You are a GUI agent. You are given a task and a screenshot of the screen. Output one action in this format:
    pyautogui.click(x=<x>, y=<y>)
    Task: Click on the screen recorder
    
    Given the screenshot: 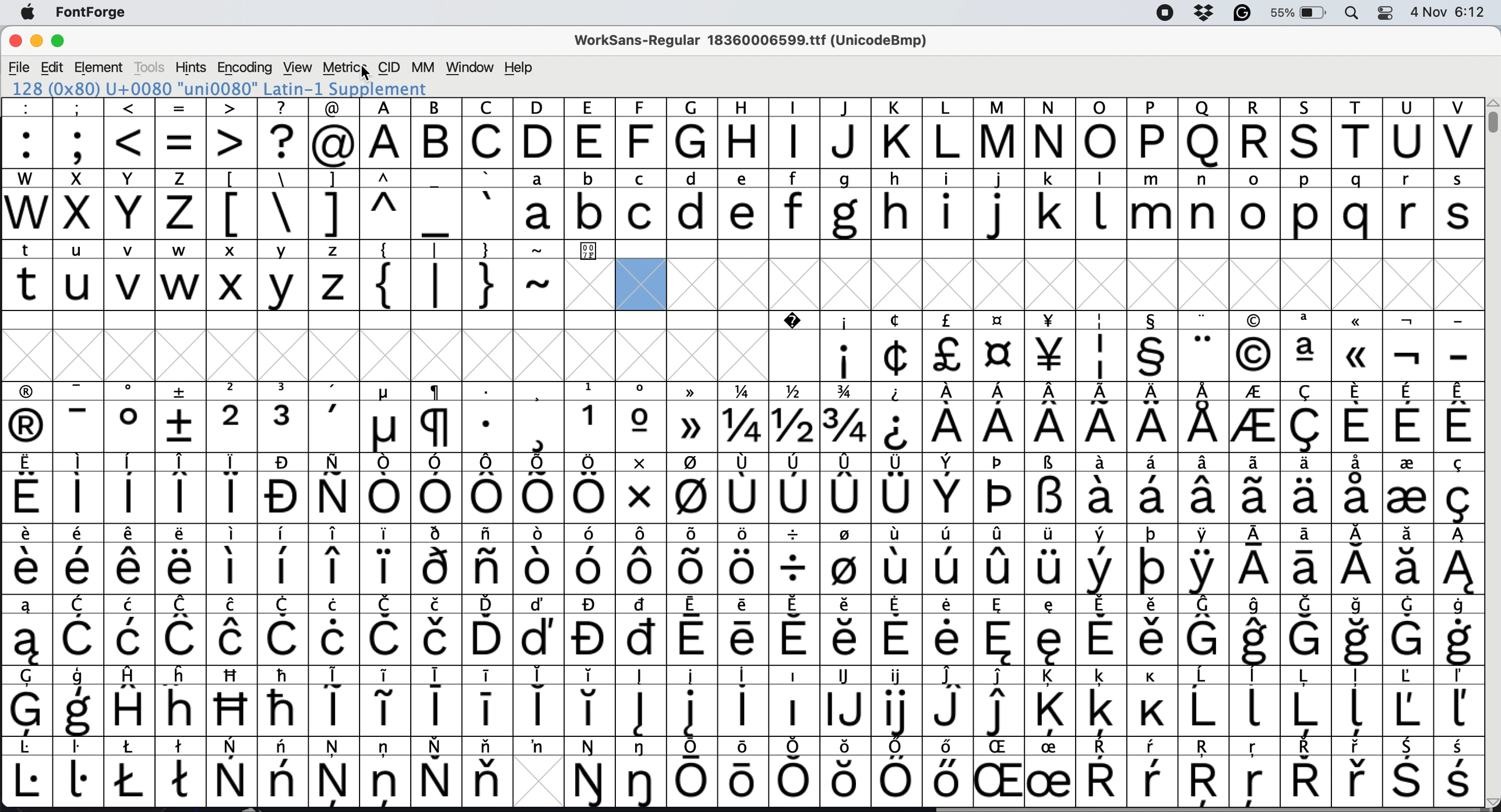 What is the action you would take?
    pyautogui.click(x=1165, y=15)
    